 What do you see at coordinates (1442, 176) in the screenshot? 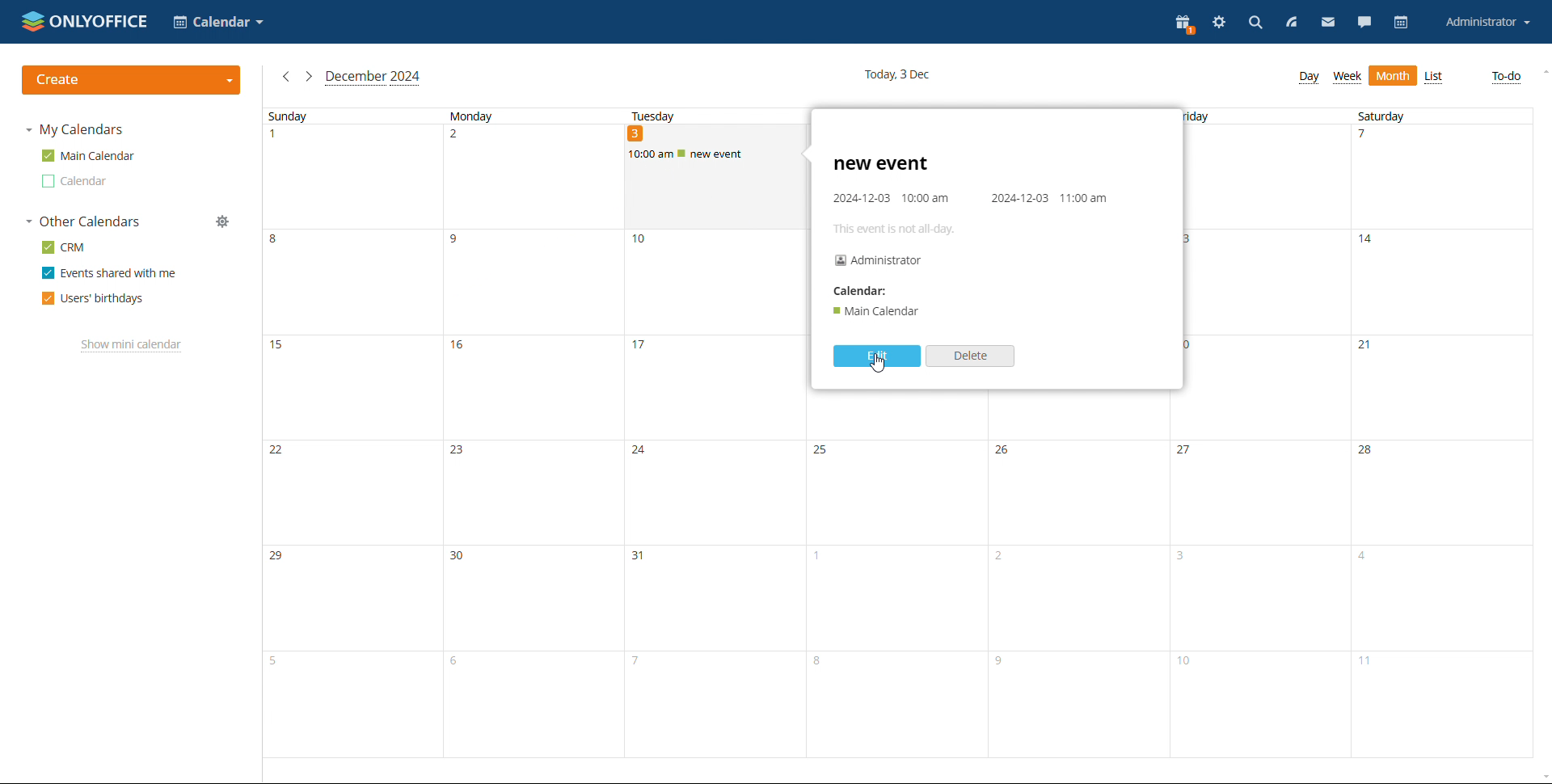
I see `7` at bounding box center [1442, 176].